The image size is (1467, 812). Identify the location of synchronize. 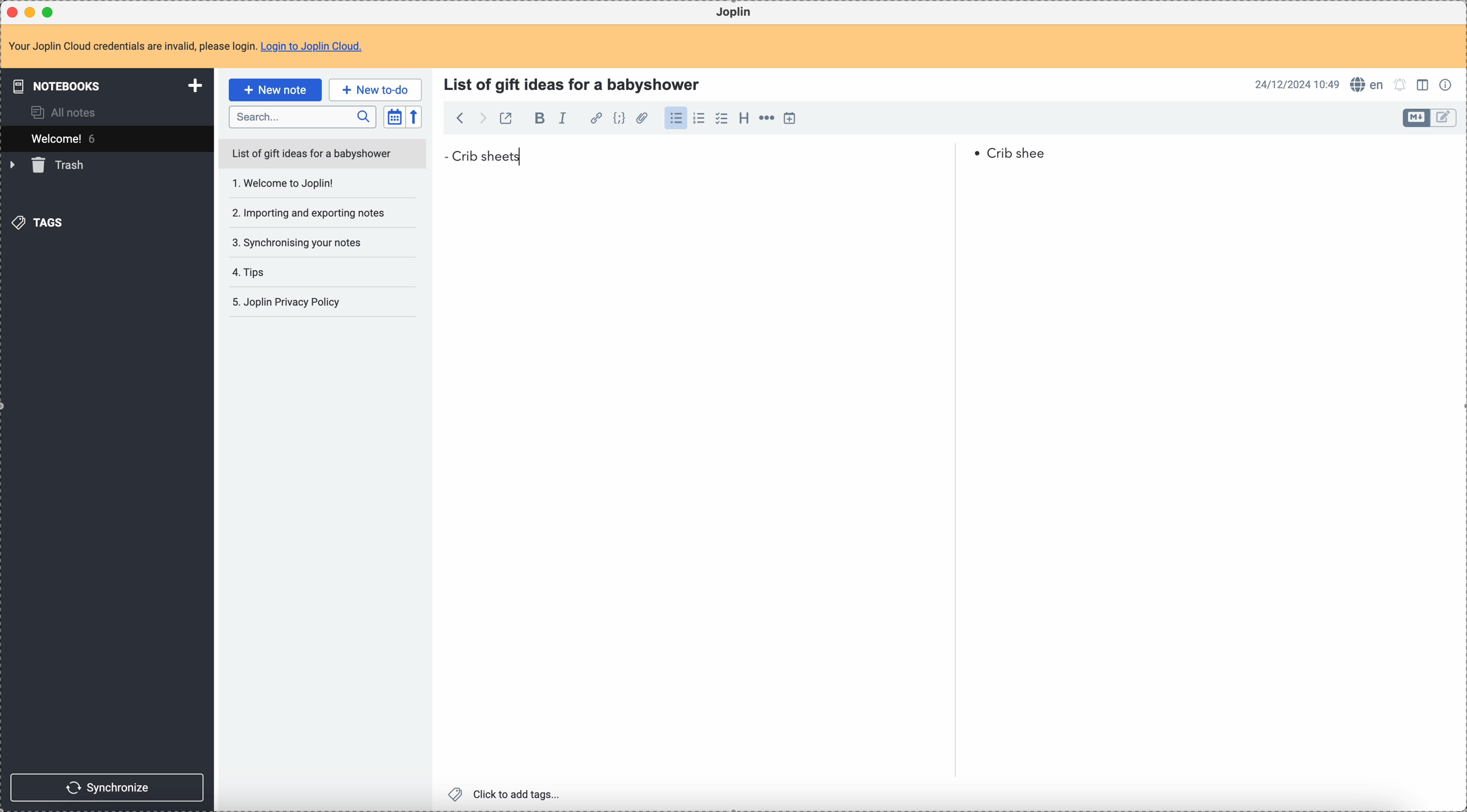
(109, 786).